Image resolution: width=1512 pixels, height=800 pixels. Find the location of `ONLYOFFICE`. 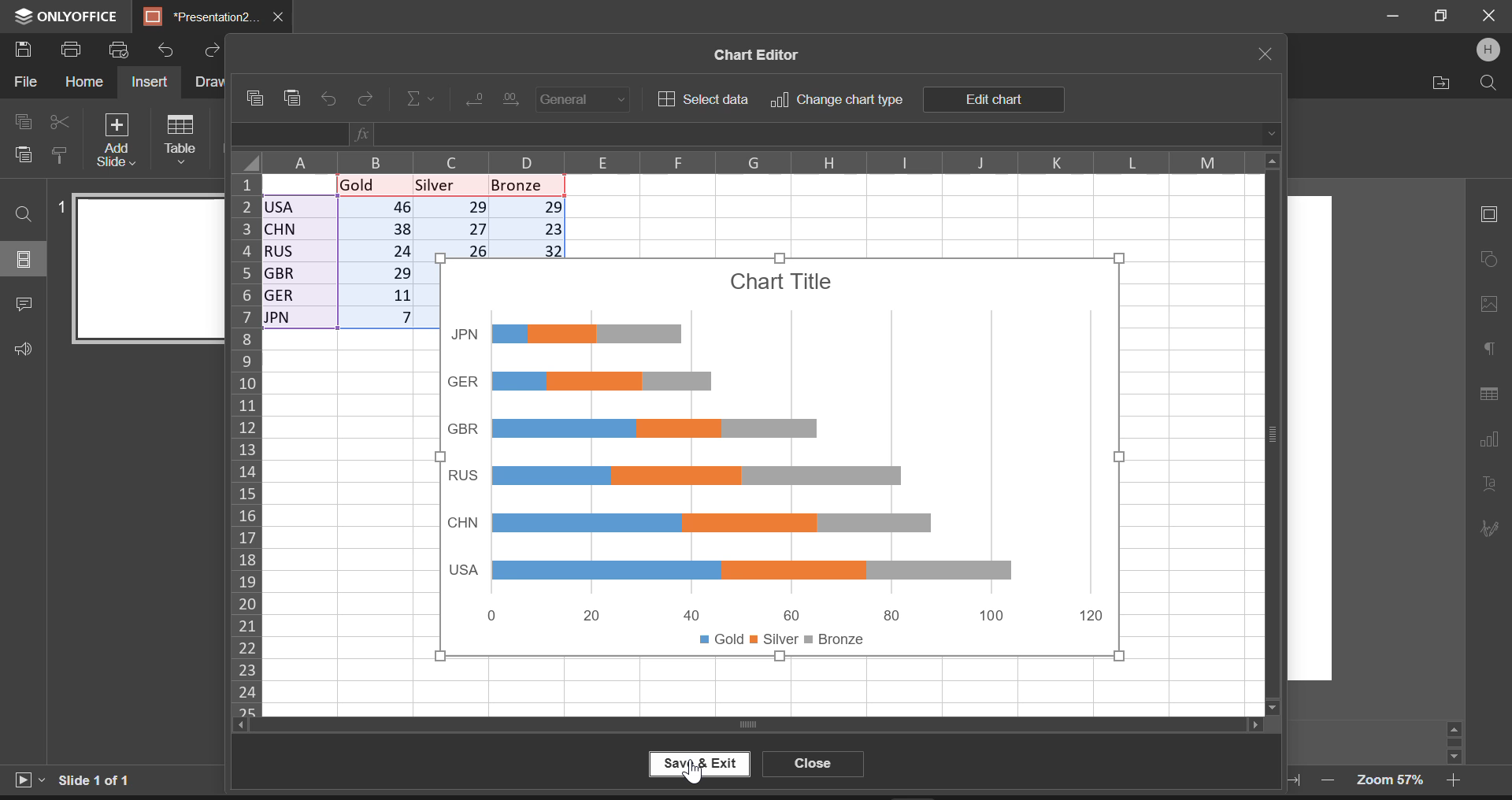

ONLYOFFICE is located at coordinates (63, 17).